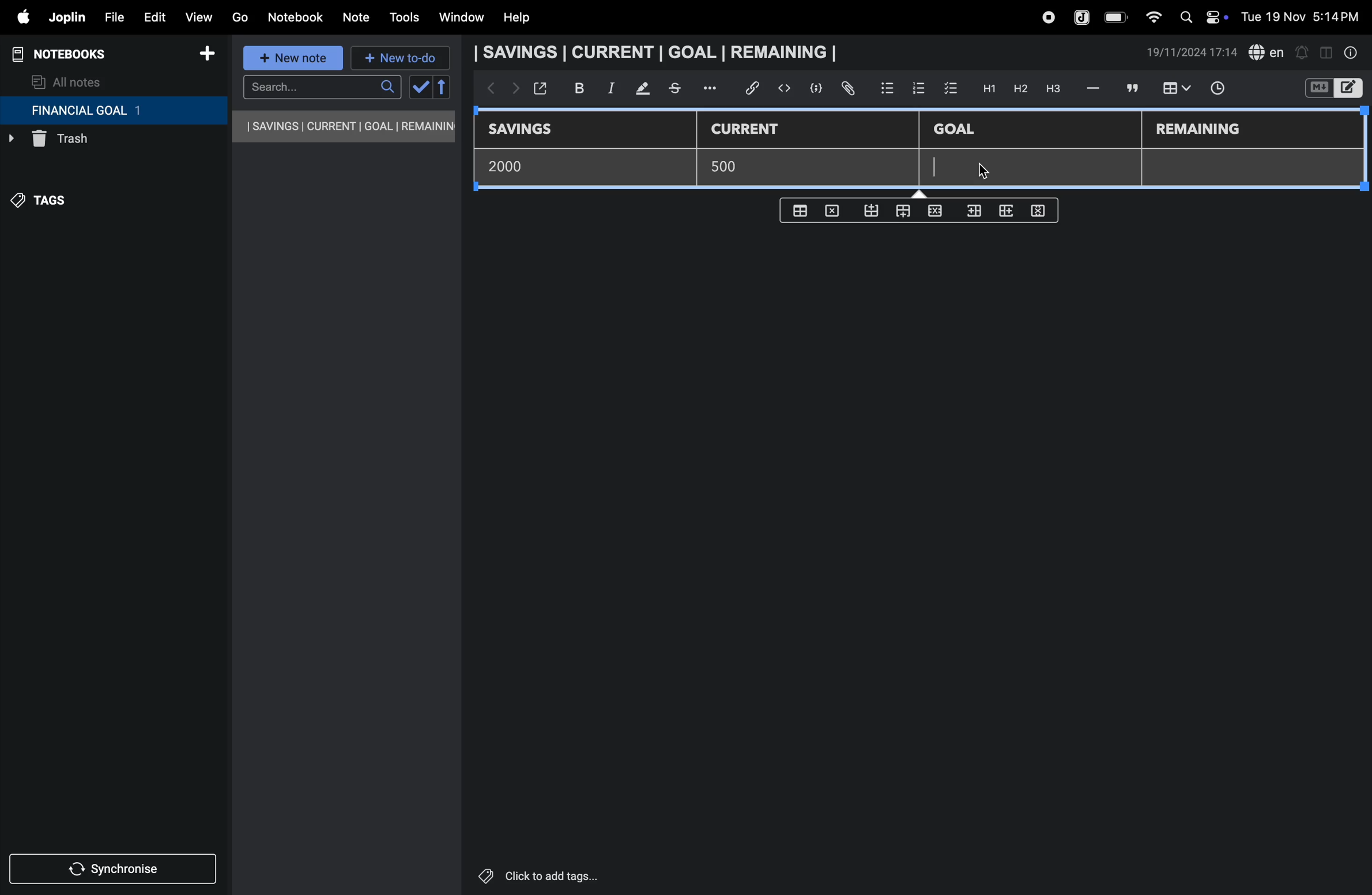 The image size is (1372, 895). What do you see at coordinates (1326, 51) in the screenshot?
I see `toggle editor` at bounding box center [1326, 51].